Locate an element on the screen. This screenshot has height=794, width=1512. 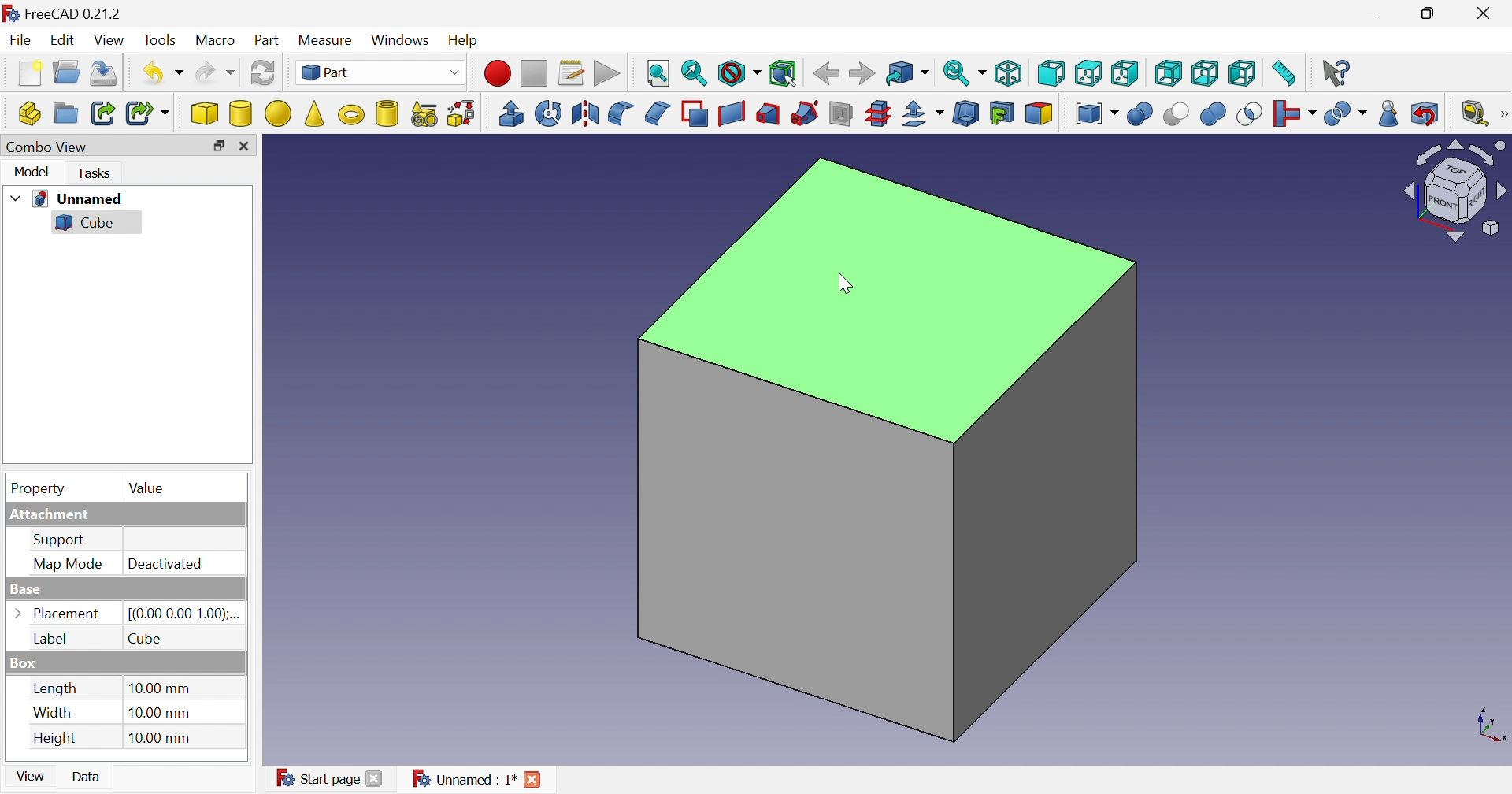
Height is located at coordinates (54, 738).